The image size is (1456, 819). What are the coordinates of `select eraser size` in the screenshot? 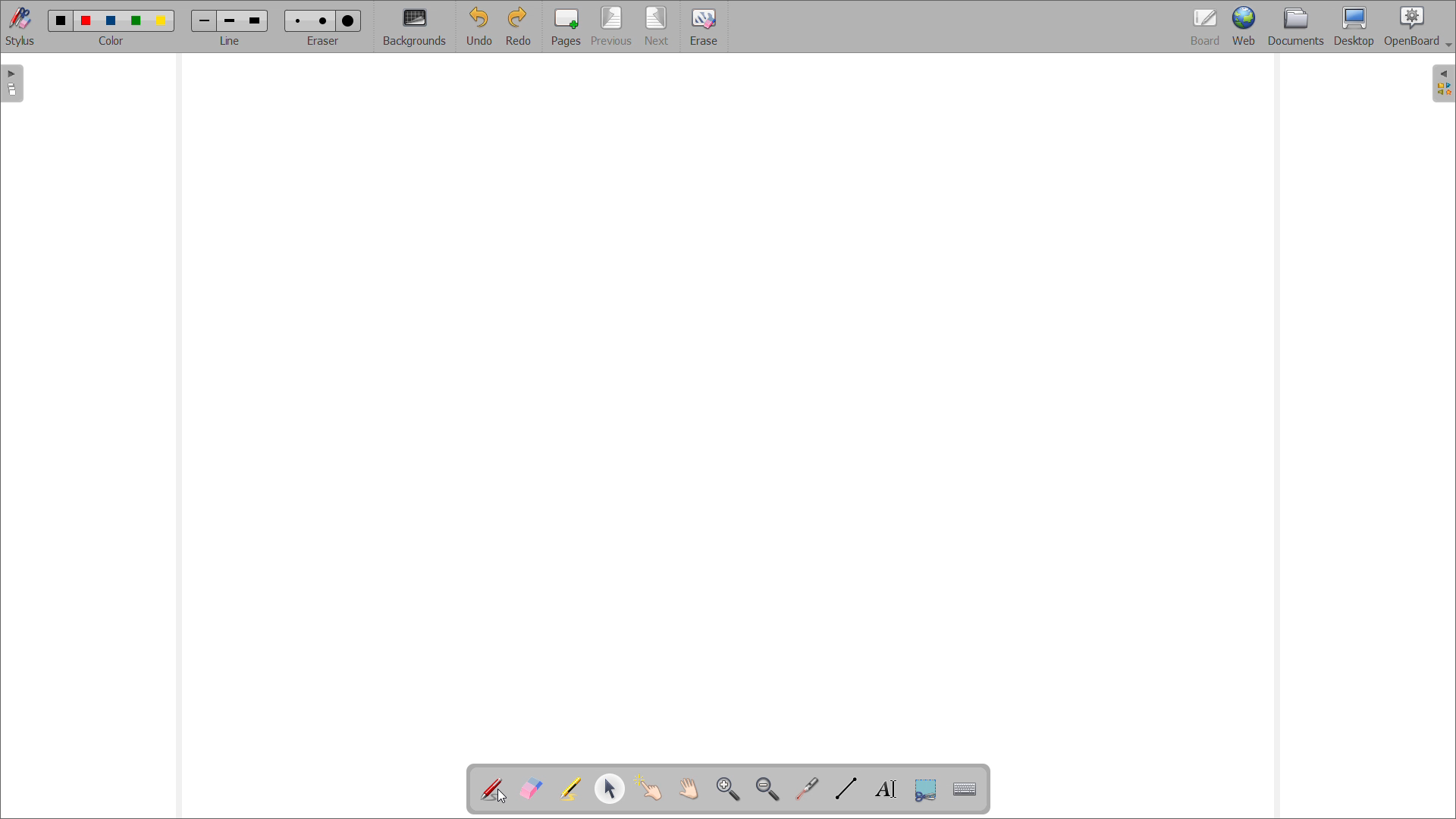 It's located at (324, 41).